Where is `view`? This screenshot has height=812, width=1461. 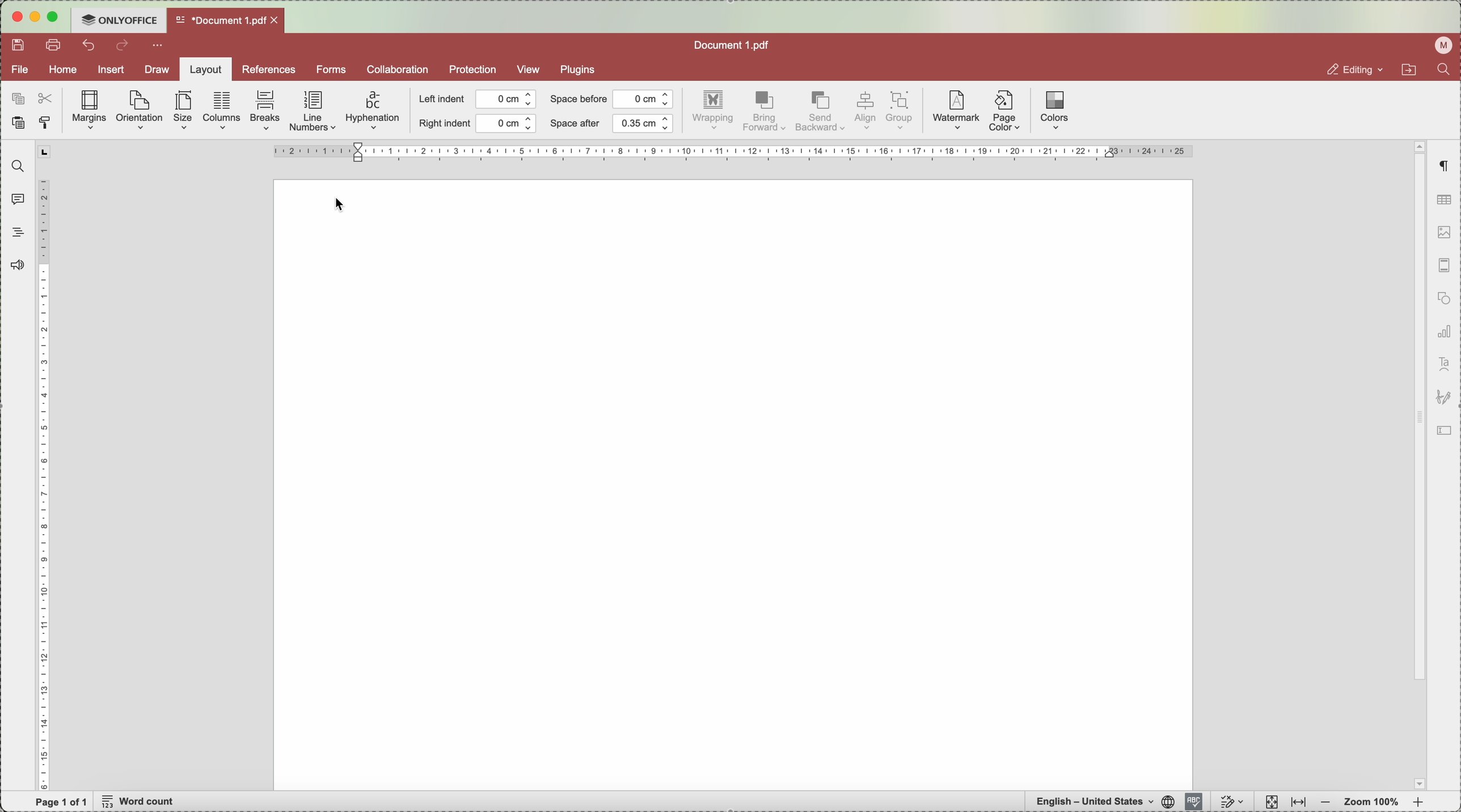
view is located at coordinates (529, 69).